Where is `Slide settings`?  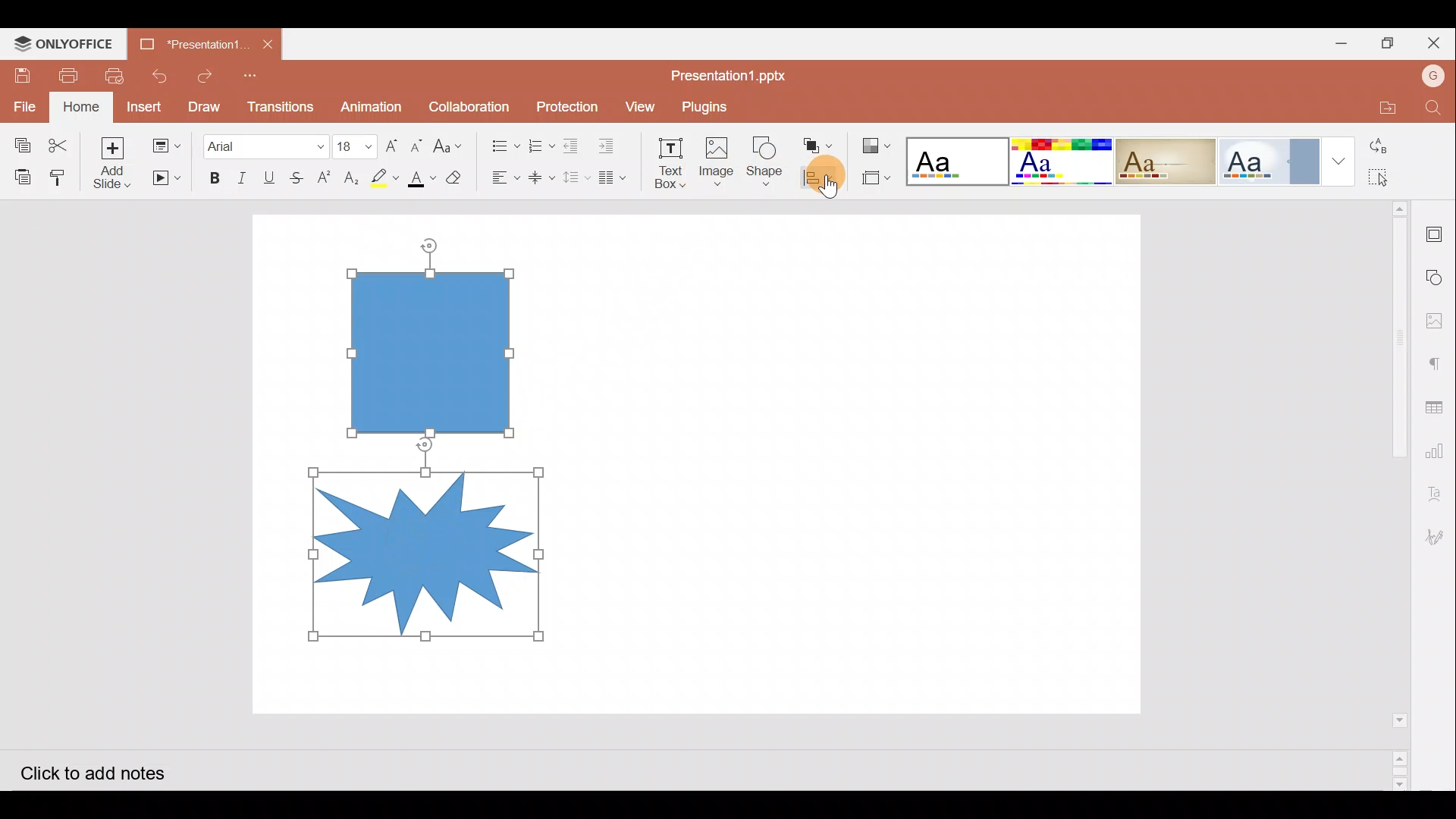 Slide settings is located at coordinates (1437, 231).